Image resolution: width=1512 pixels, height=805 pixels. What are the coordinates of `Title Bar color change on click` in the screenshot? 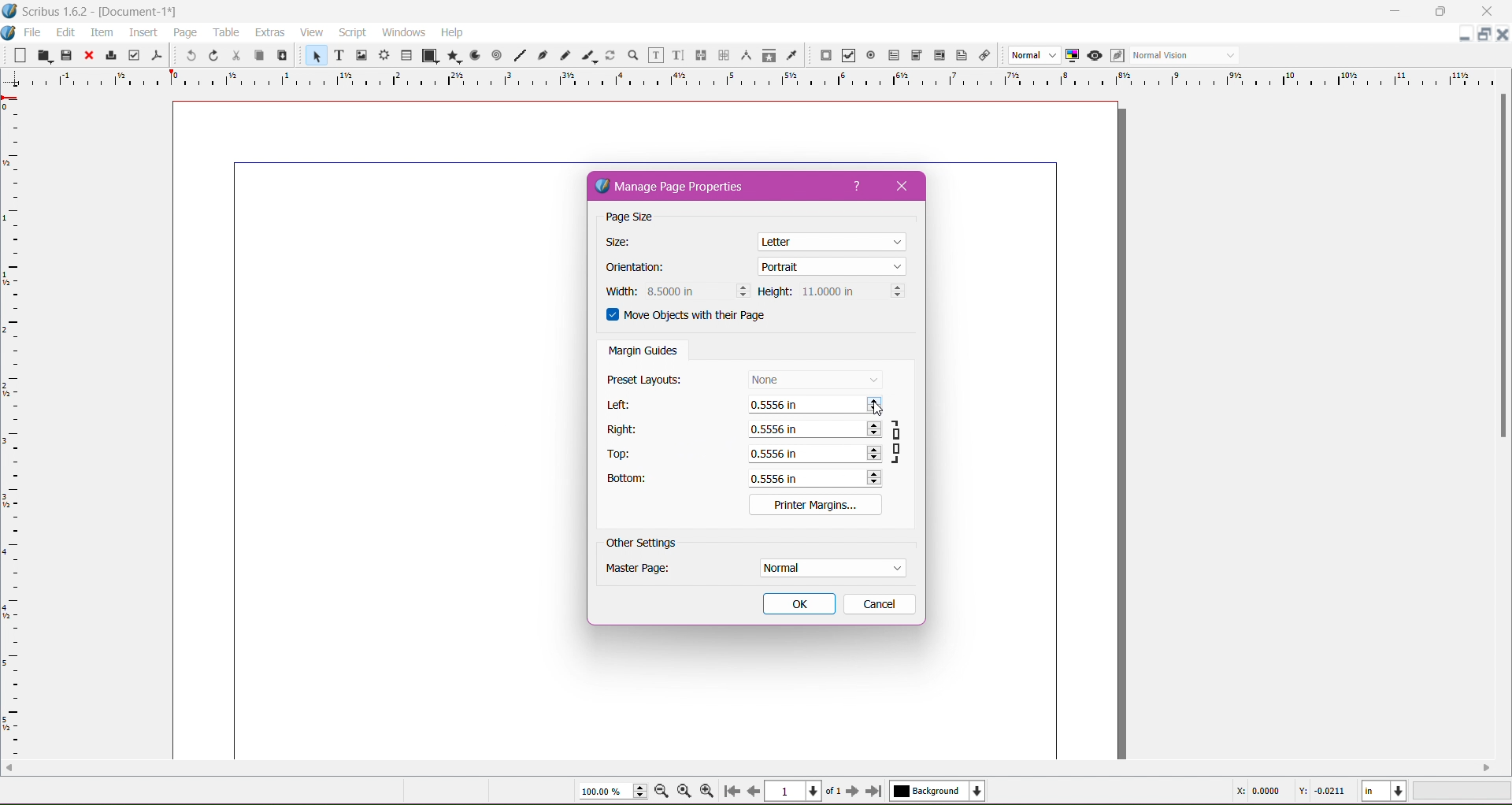 It's located at (776, 11).